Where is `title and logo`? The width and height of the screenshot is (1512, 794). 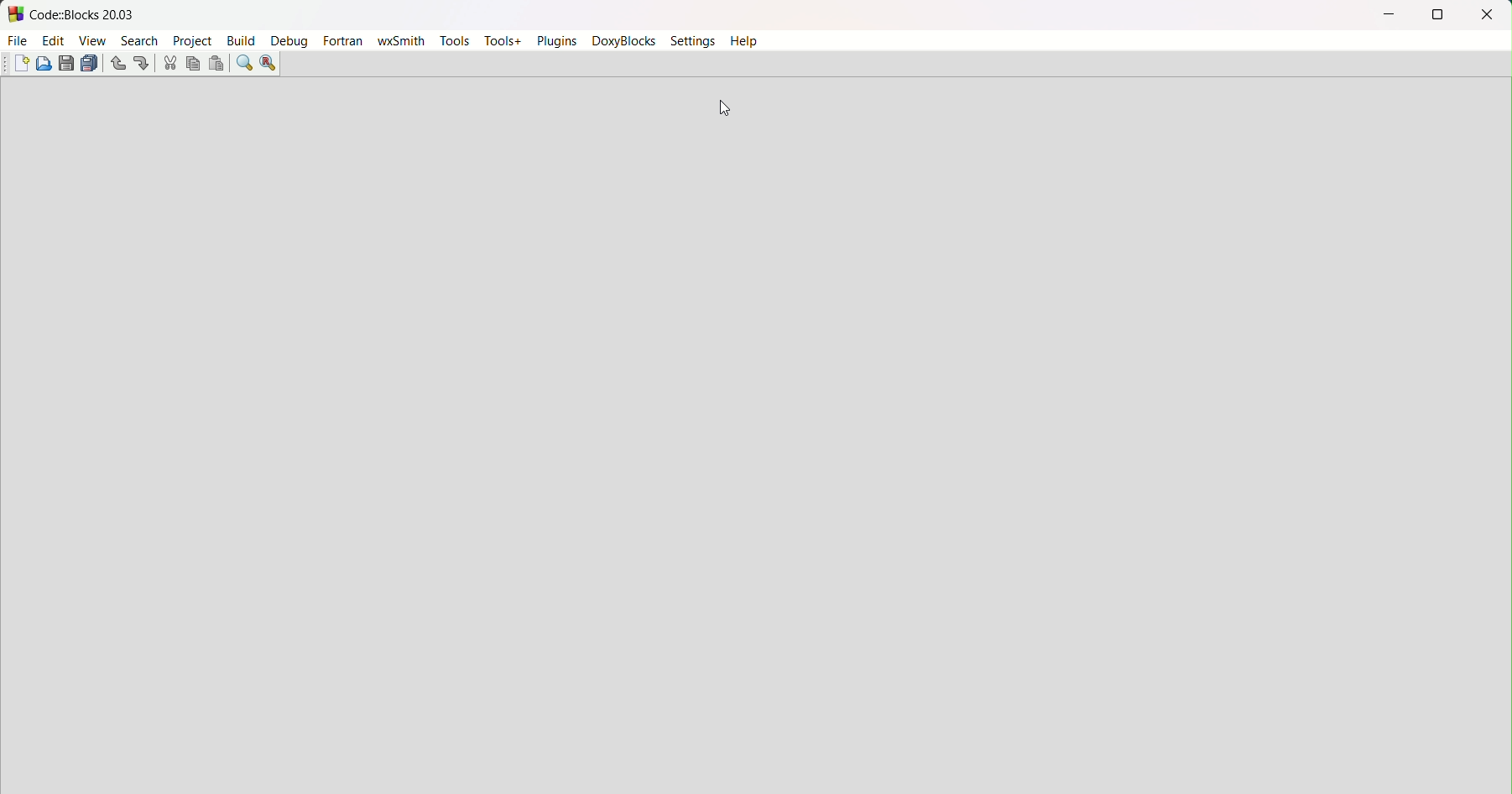
title and logo is located at coordinates (73, 13).